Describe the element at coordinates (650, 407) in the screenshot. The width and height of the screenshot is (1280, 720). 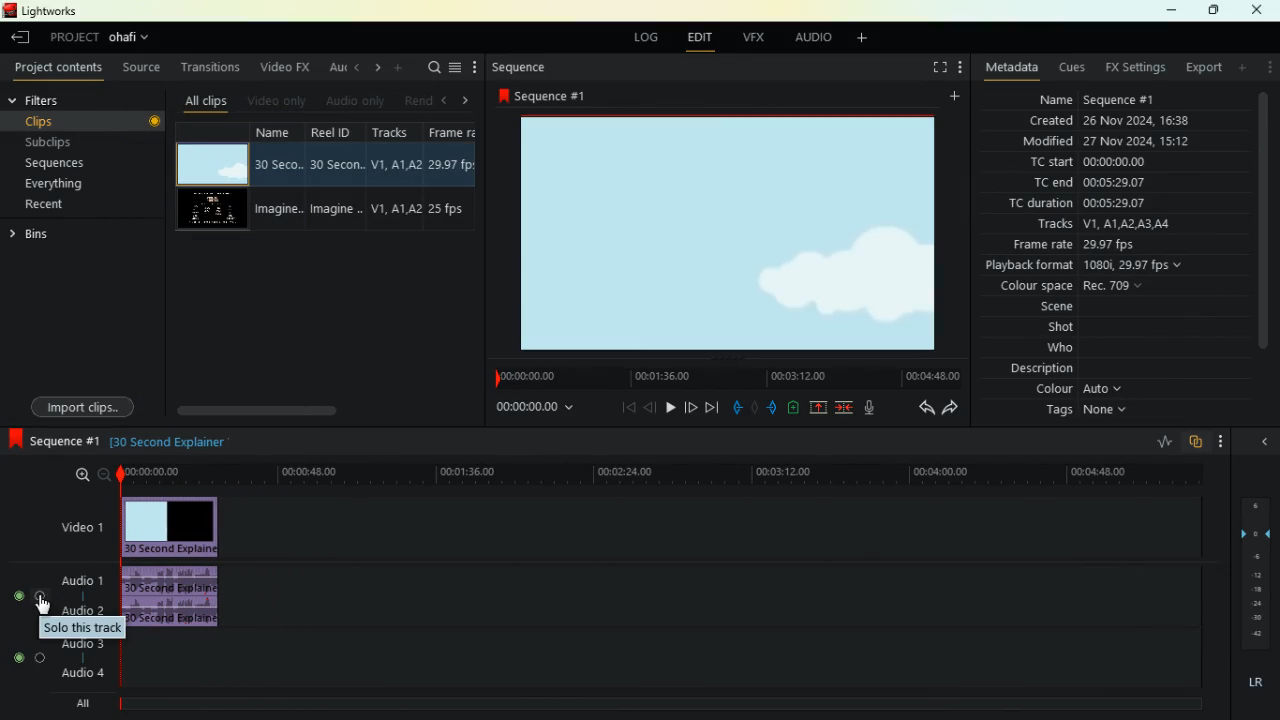
I see `back` at that location.